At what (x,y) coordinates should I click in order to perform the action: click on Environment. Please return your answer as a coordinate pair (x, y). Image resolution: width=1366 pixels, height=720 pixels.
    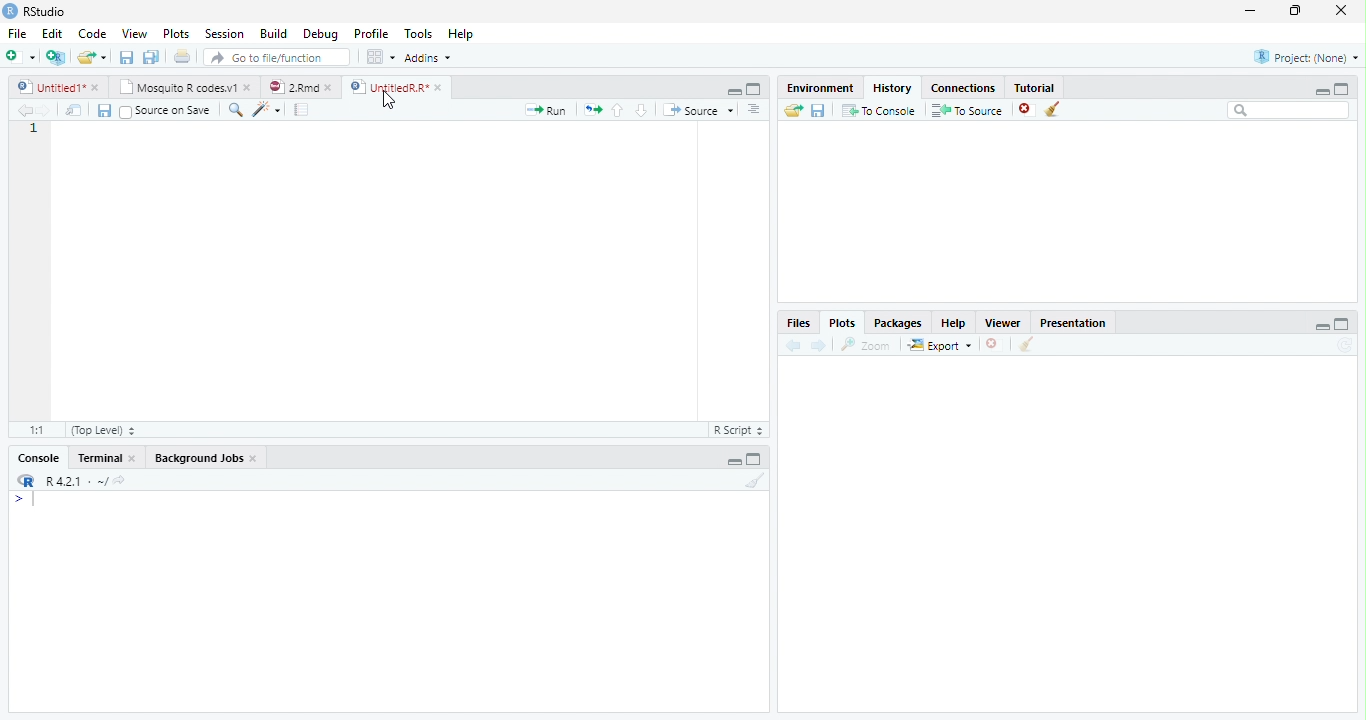
    Looking at the image, I should click on (820, 87).